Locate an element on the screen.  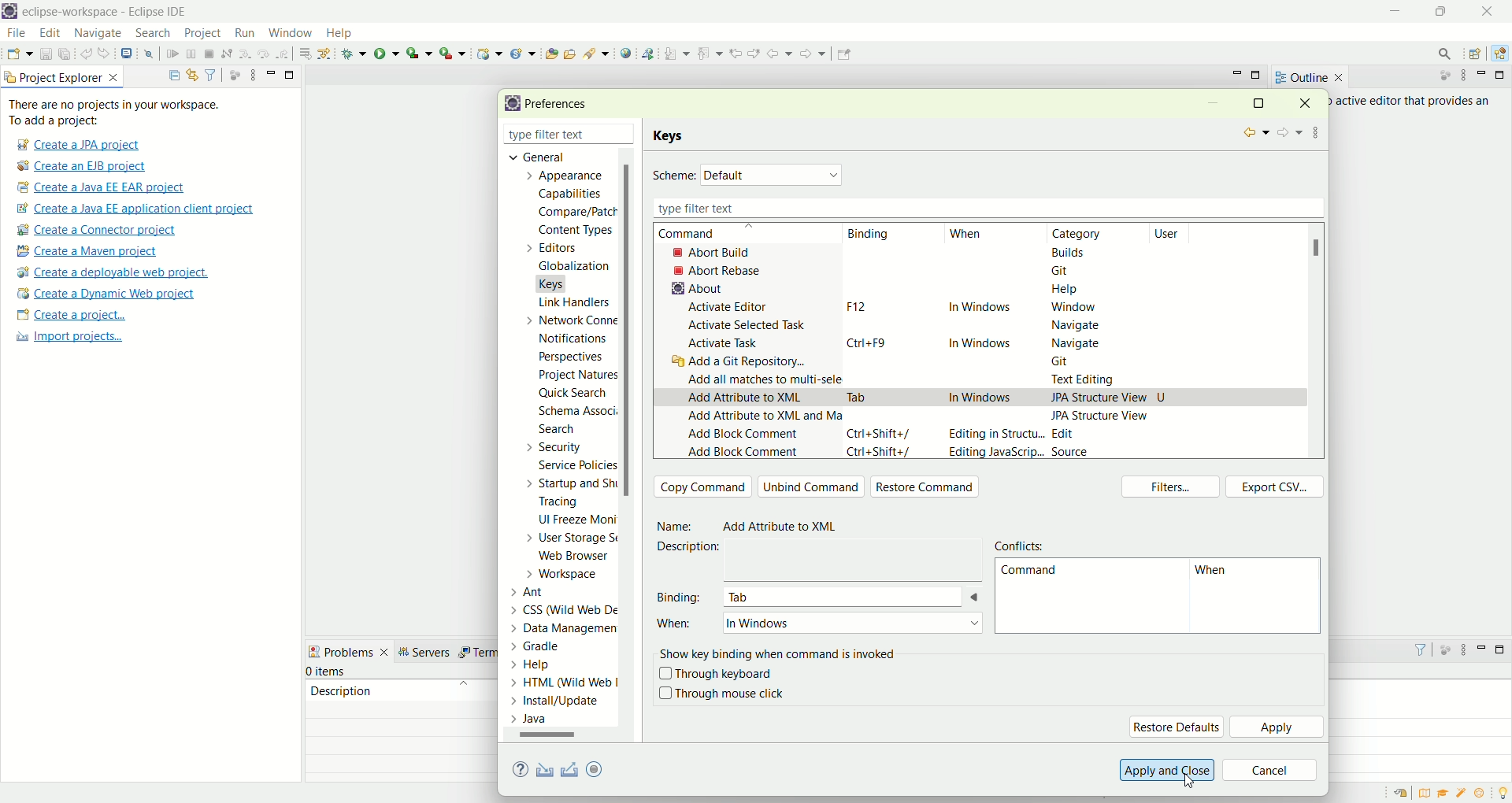
create a new Java servlet is located at coordinates (527, 54).